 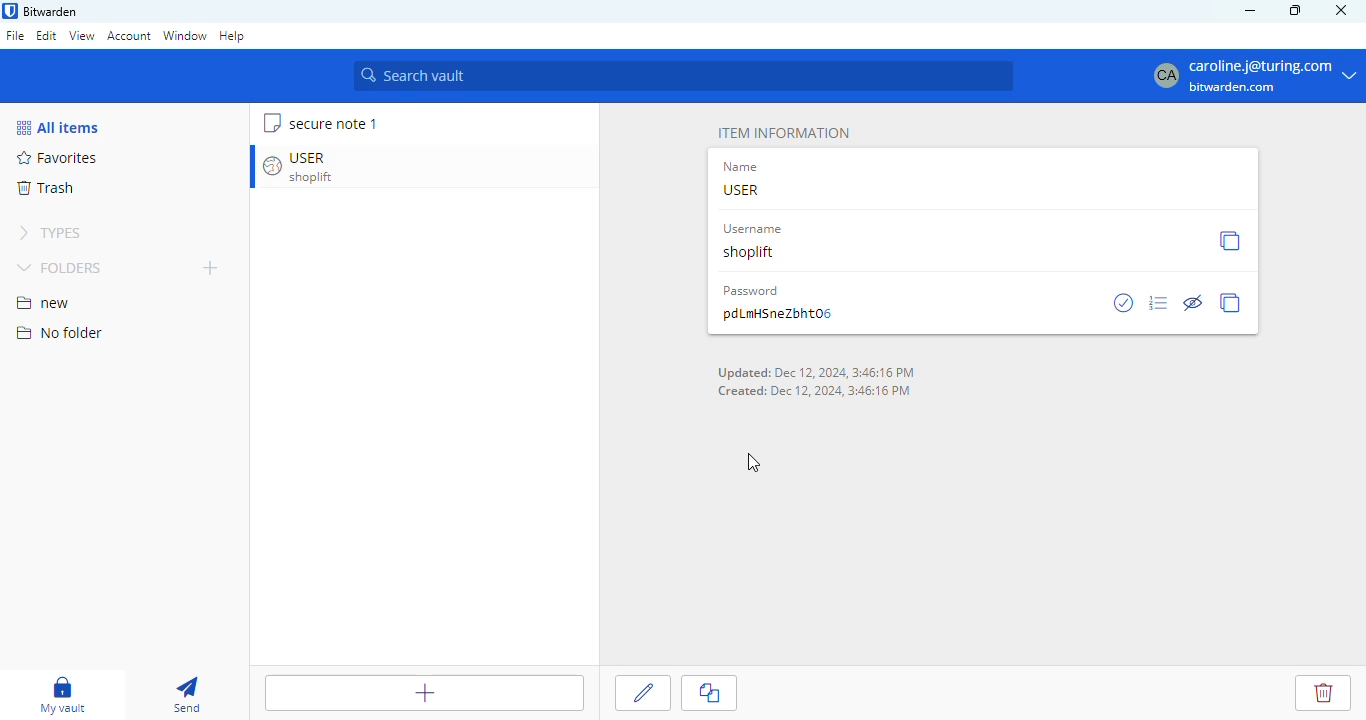 What do you see at coordinates (1250, 11) in the screenshot?
I see `minimize` at bounding box center [1250, 11].